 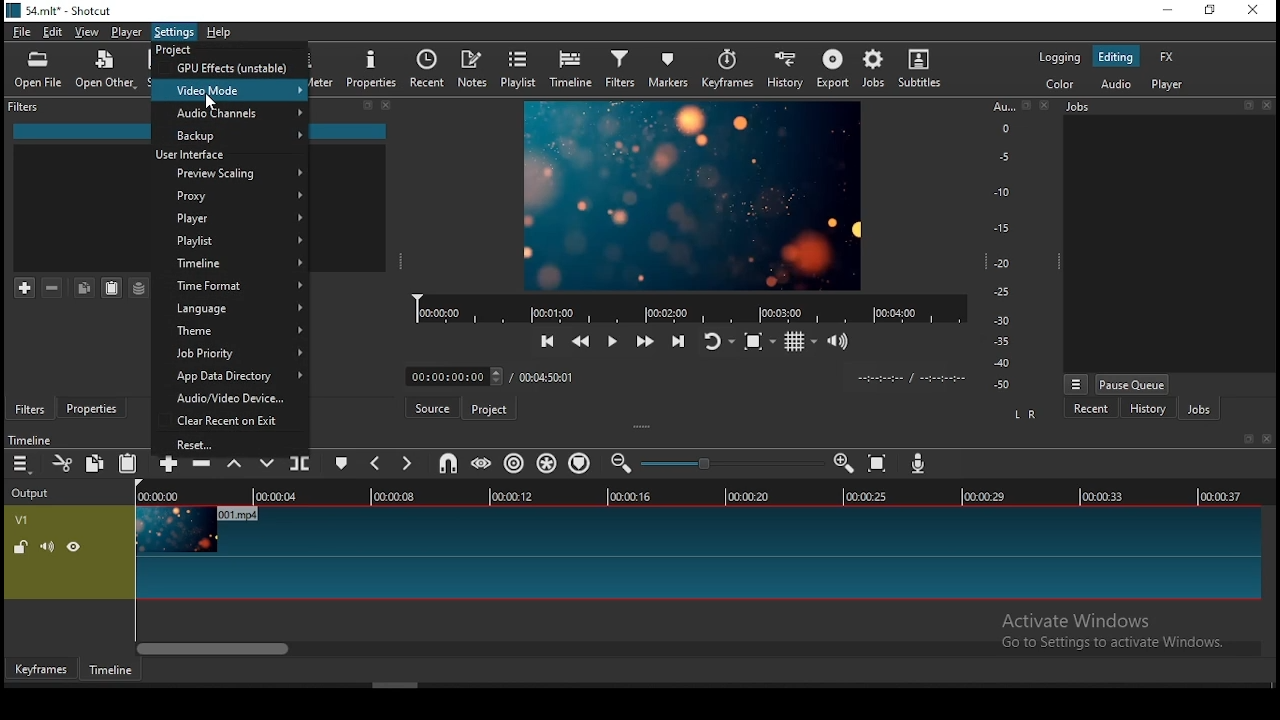 What do you see at coordinates (230, 377) in the screenshot?
I see `app data directory` at bounding box center [230, 377].